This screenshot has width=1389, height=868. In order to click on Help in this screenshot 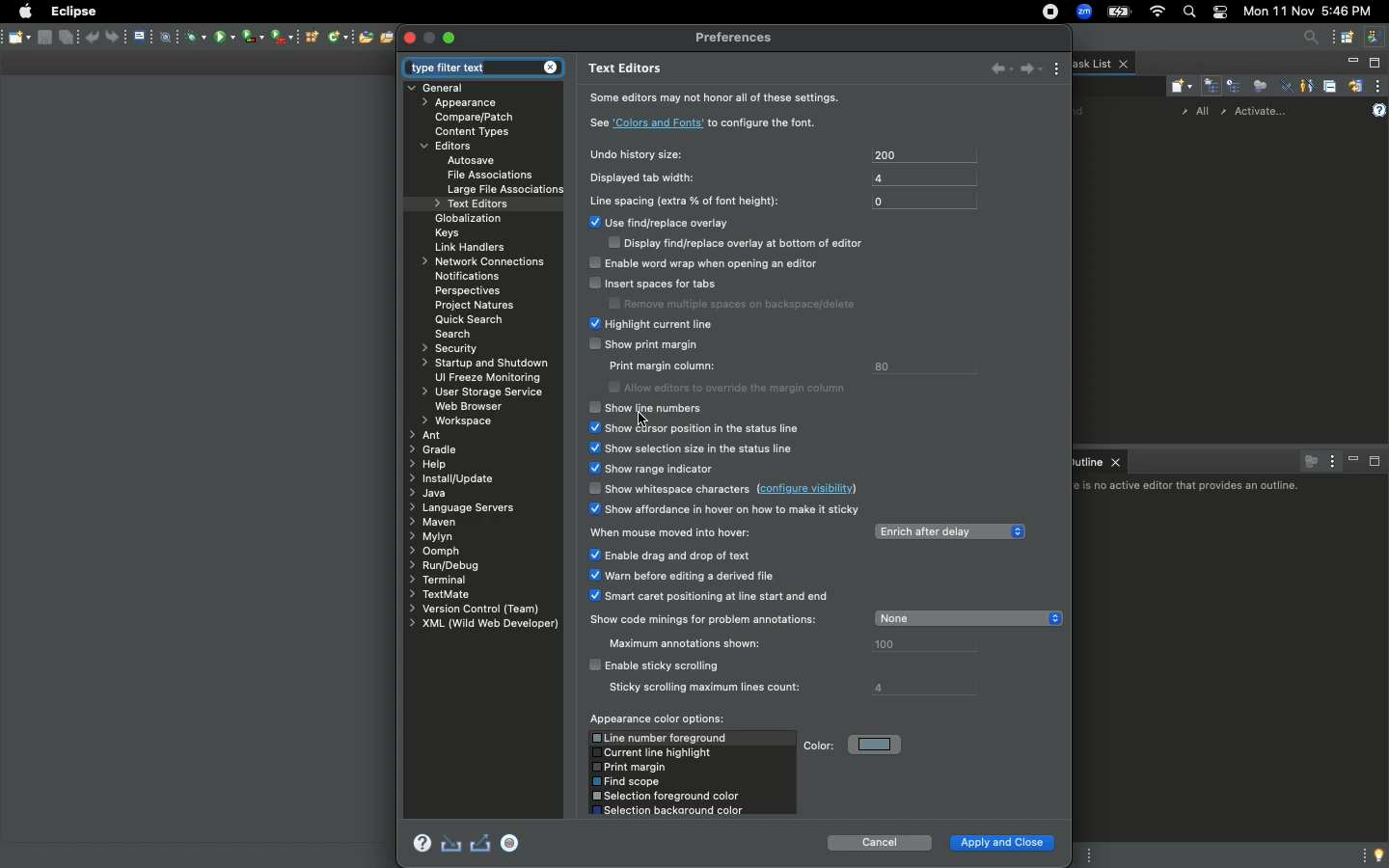, I will do `click(422, 843)`.